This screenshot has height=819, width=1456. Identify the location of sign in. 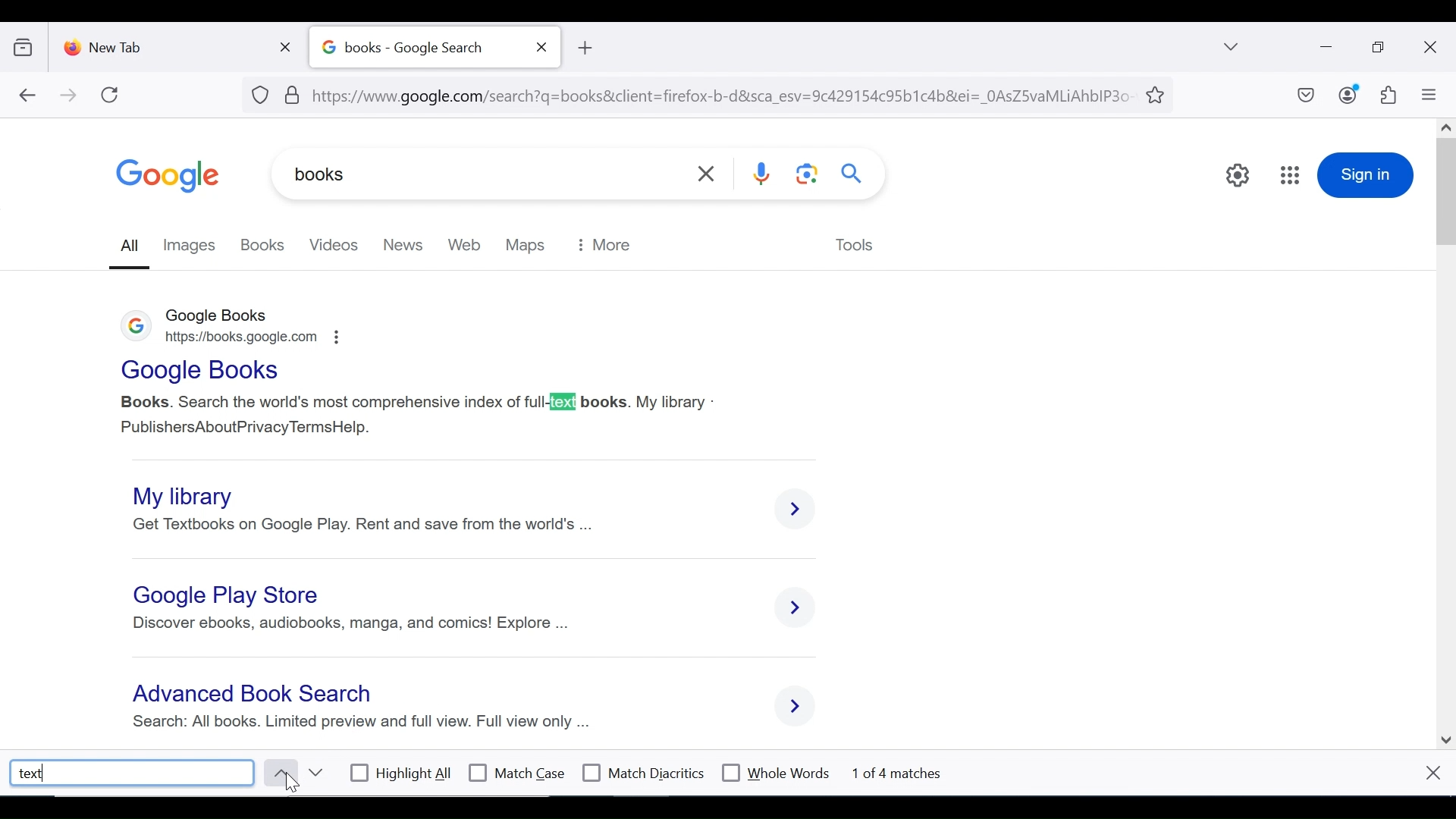
(1367, 174).